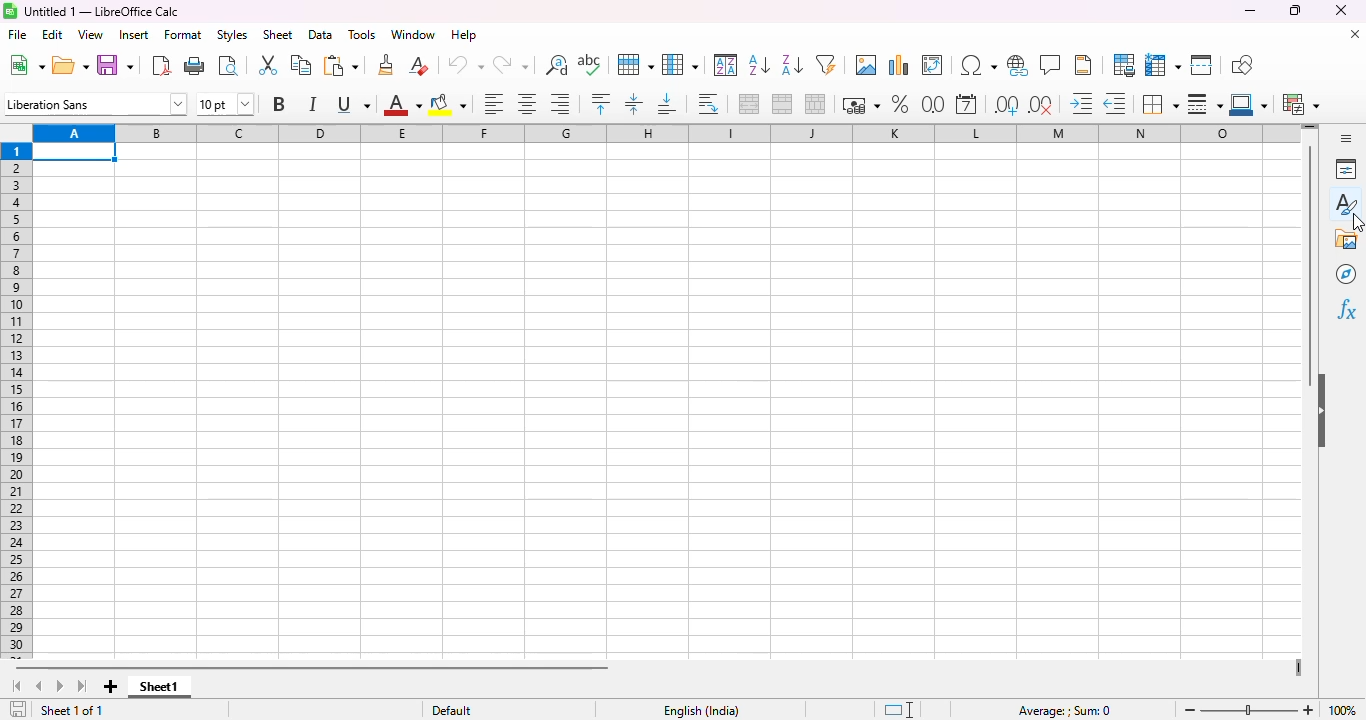 The width and height of the screenshot is (1366, 720). Describe the element at coordinates (934, 104) in the screenshot. I see `format as number` at that location.